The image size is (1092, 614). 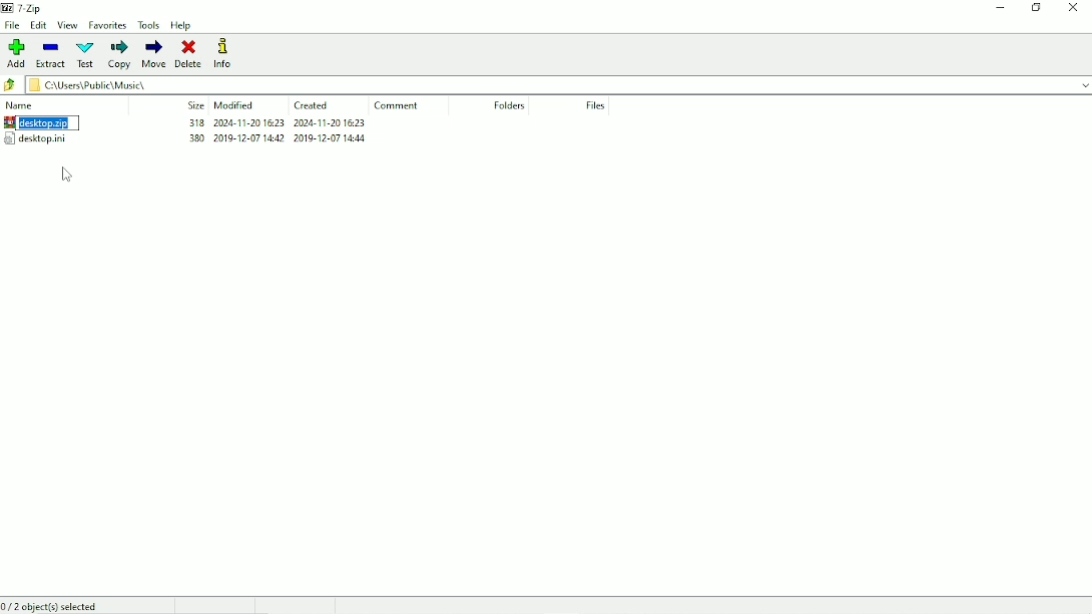 What do you see at coordinates (192, 53) in the screenshot?
I see `Delete` at bounding box center [192, 53].